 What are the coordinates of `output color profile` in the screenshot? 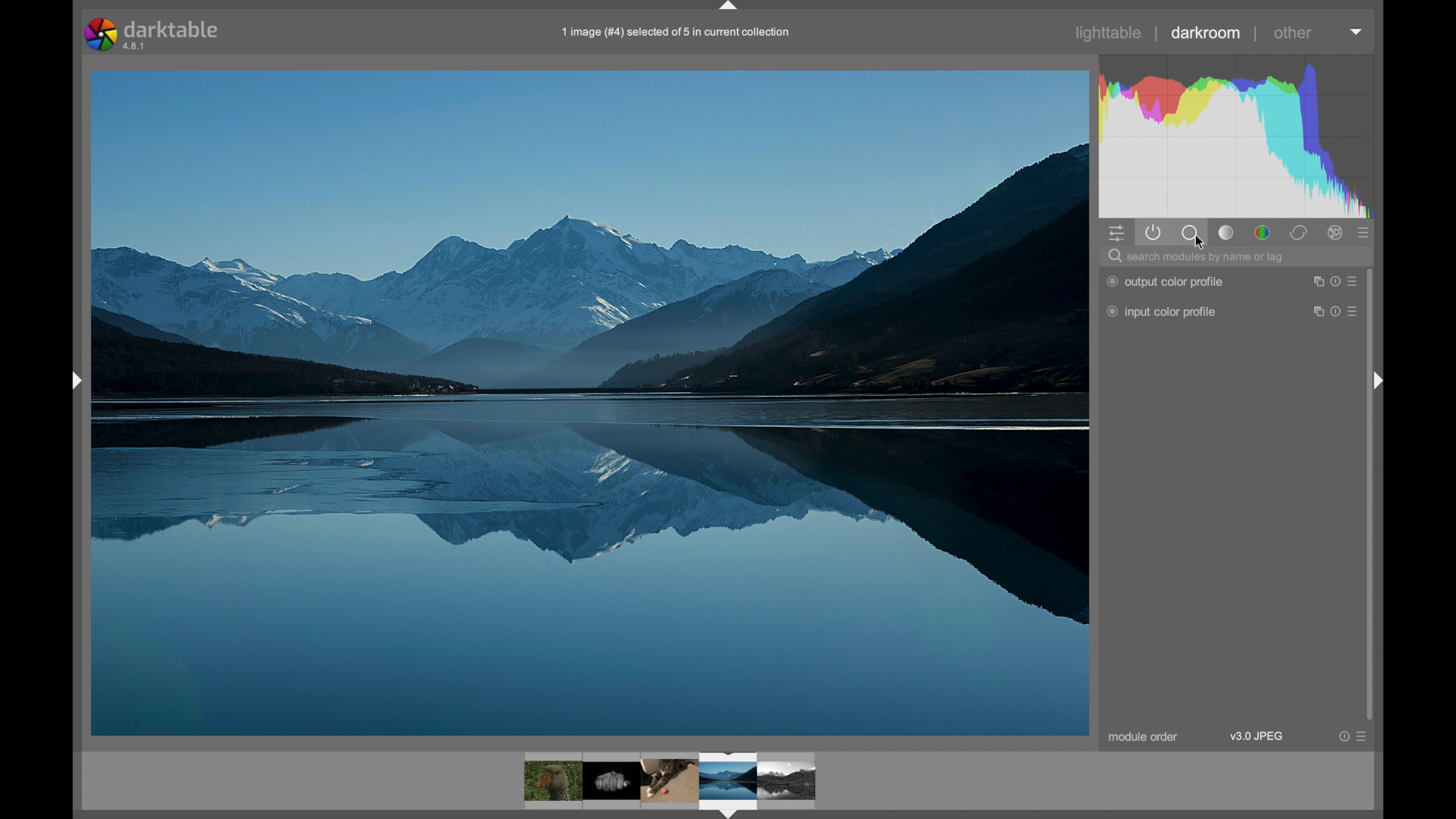 It's located at (1164, 281).